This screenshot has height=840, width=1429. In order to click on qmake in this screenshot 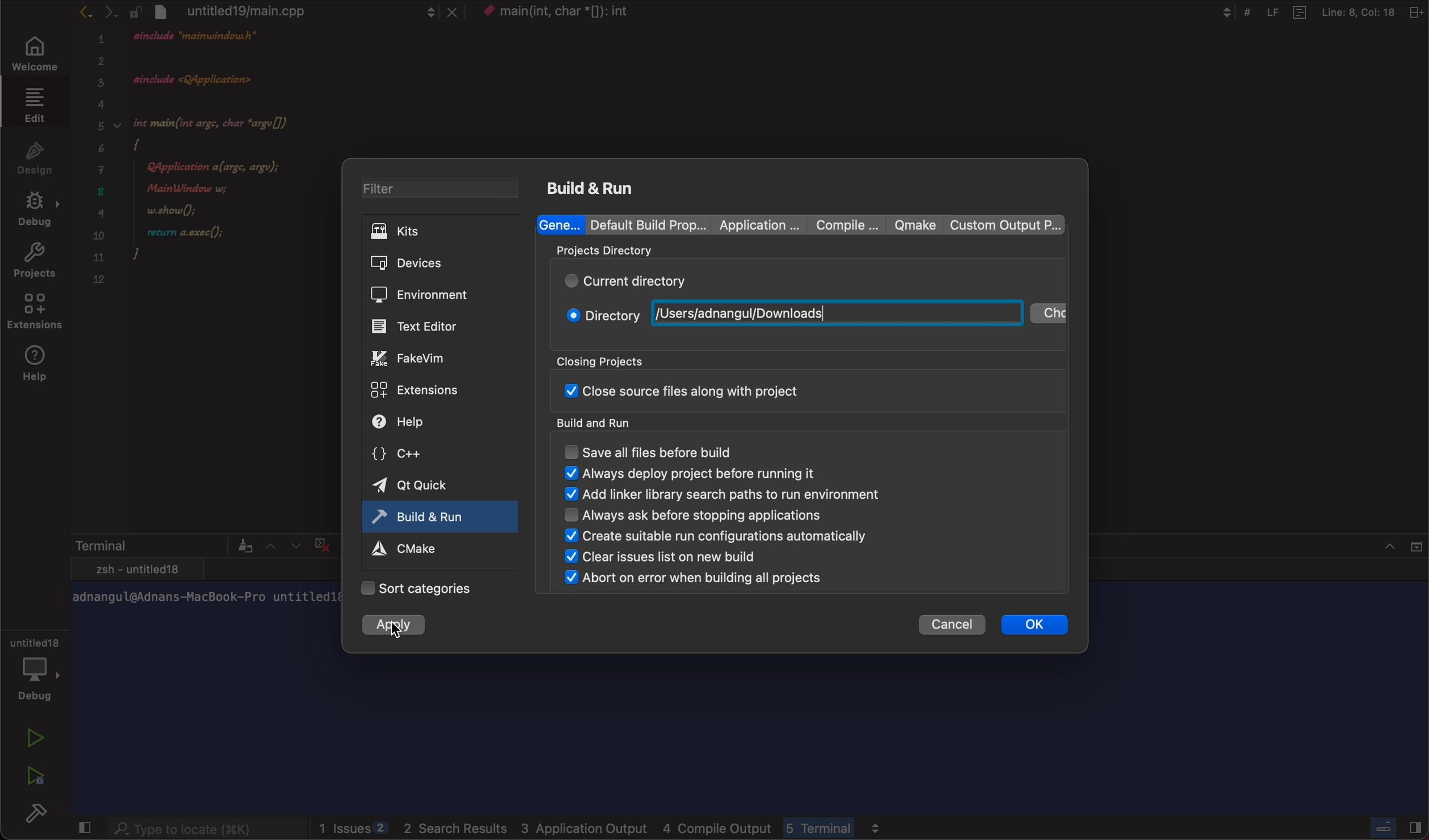, I will do `click(915, 226)`.